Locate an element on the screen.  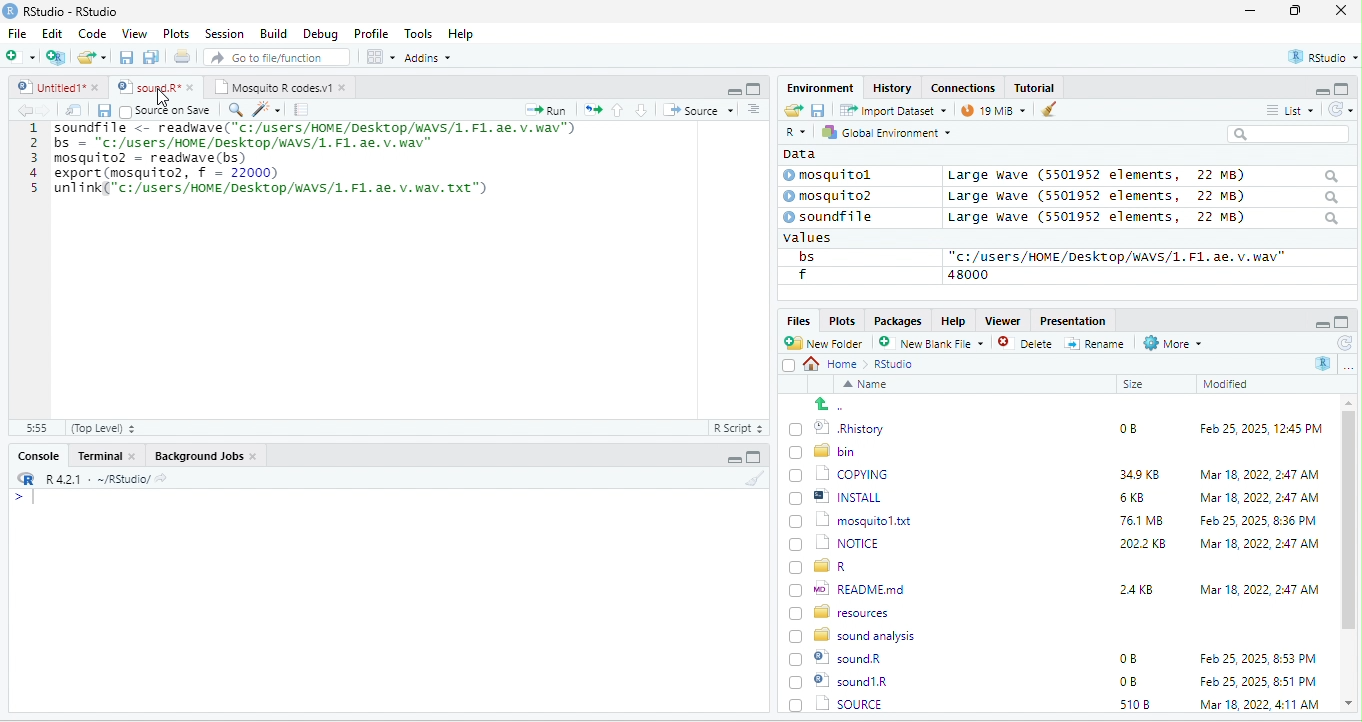
Session is located at coordinates (225, 32).